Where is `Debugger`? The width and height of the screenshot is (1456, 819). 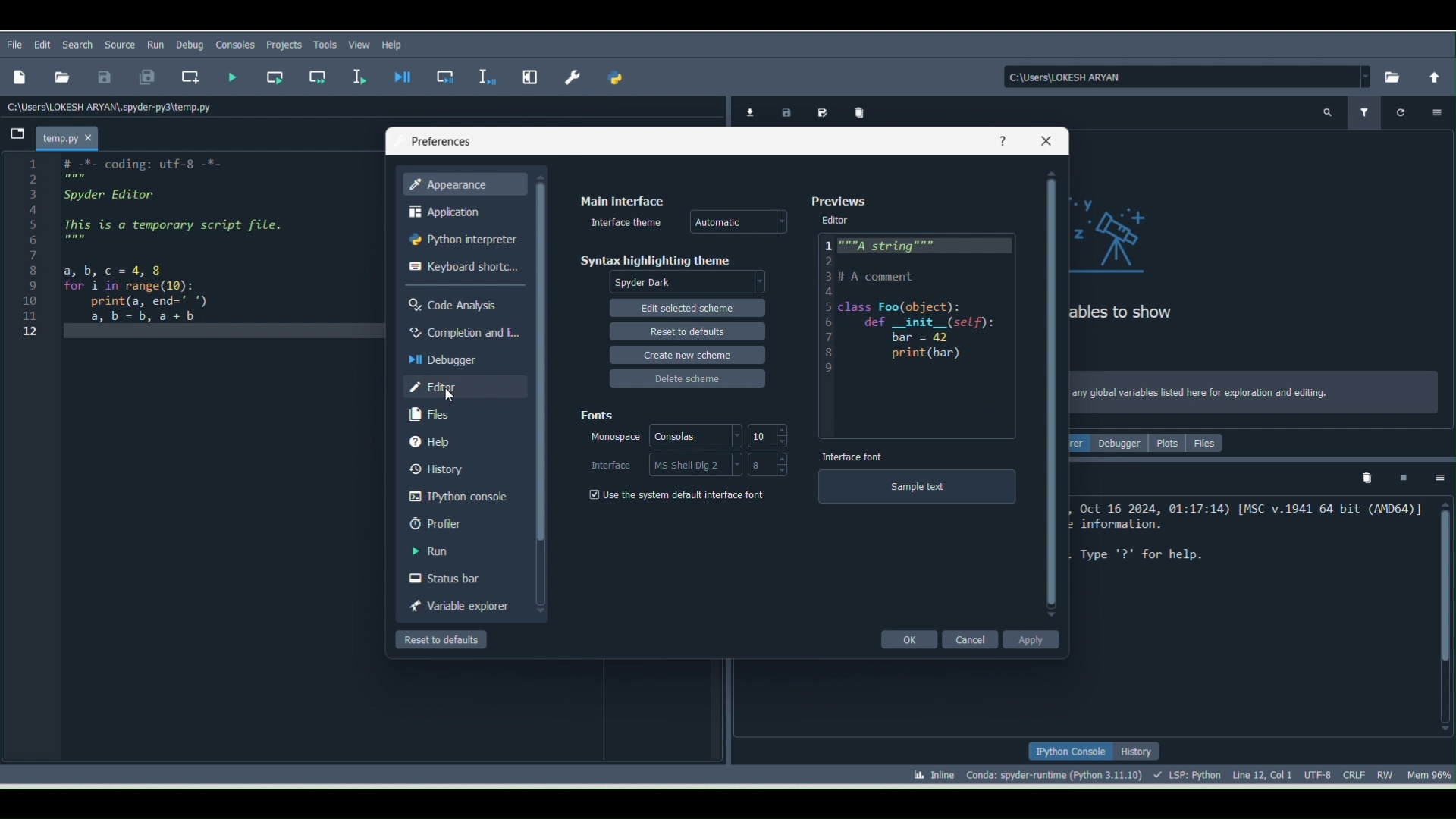 Debugger is located at coordinates (460, 357).